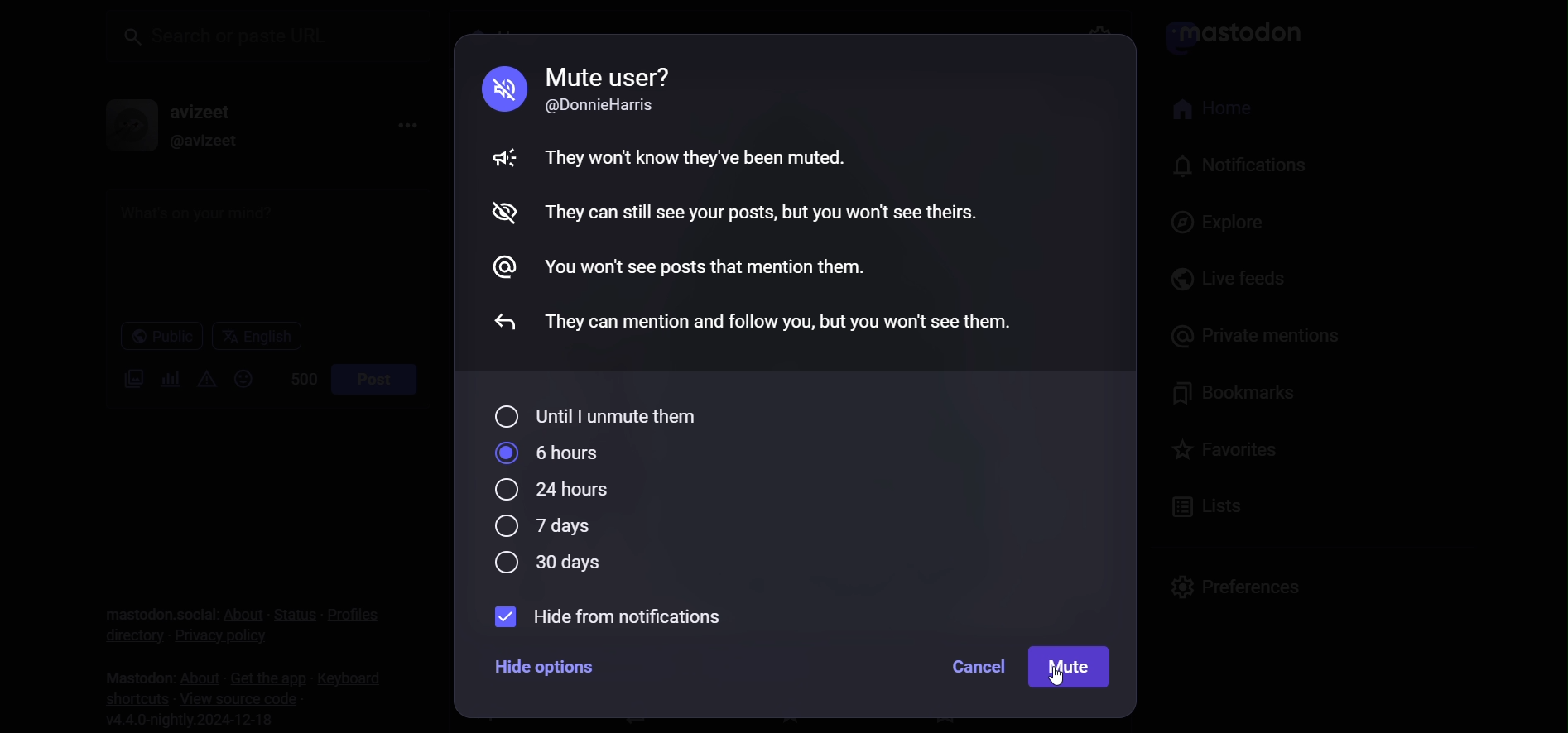 The image size is (1568, 733). Describe the element at coordinates (784, 319) in the screenshot. I see `They can mention and follow you, but you won't see them.` at that location.